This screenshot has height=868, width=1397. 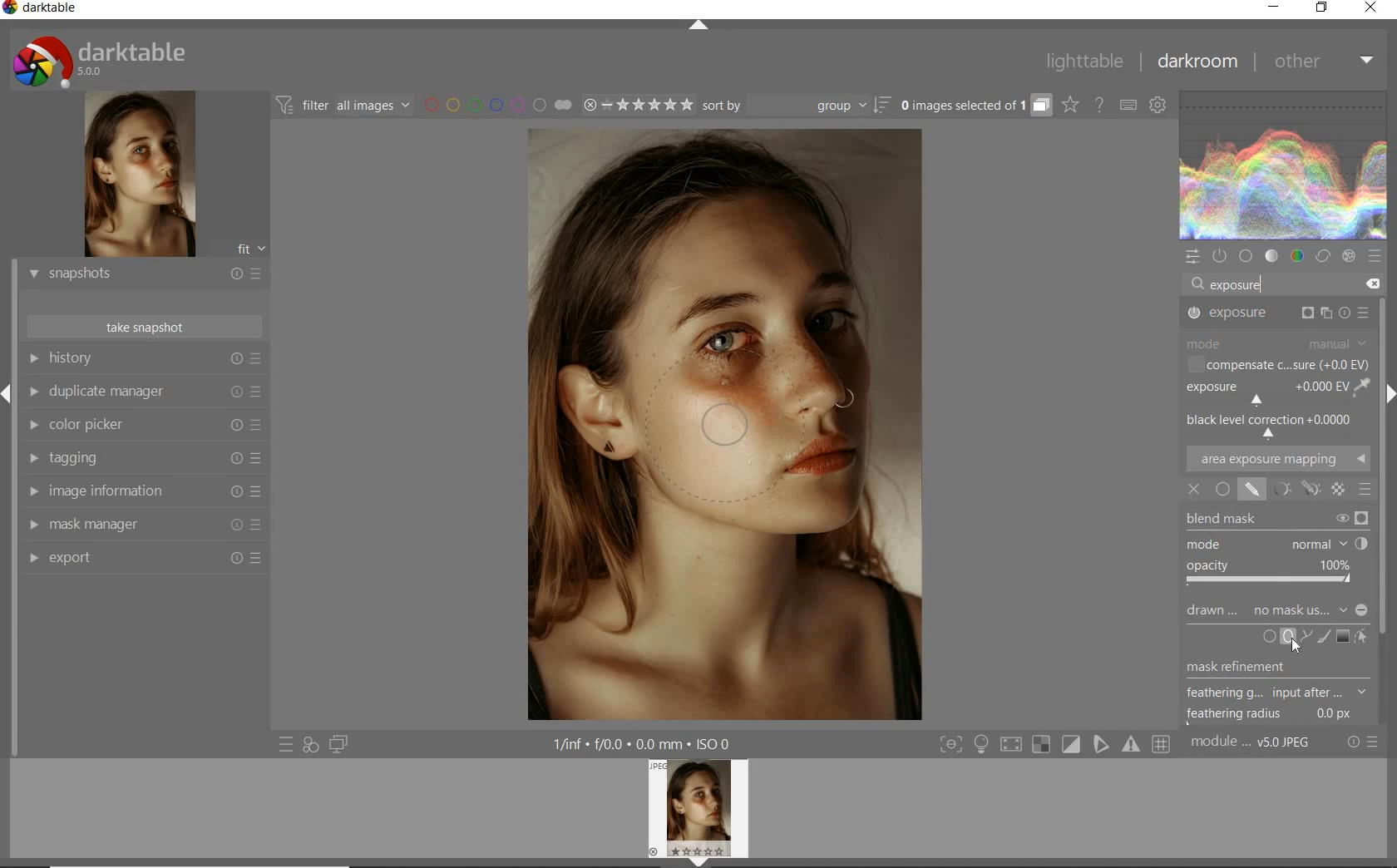 I want to click on tone, so click(x=1271, y=256).